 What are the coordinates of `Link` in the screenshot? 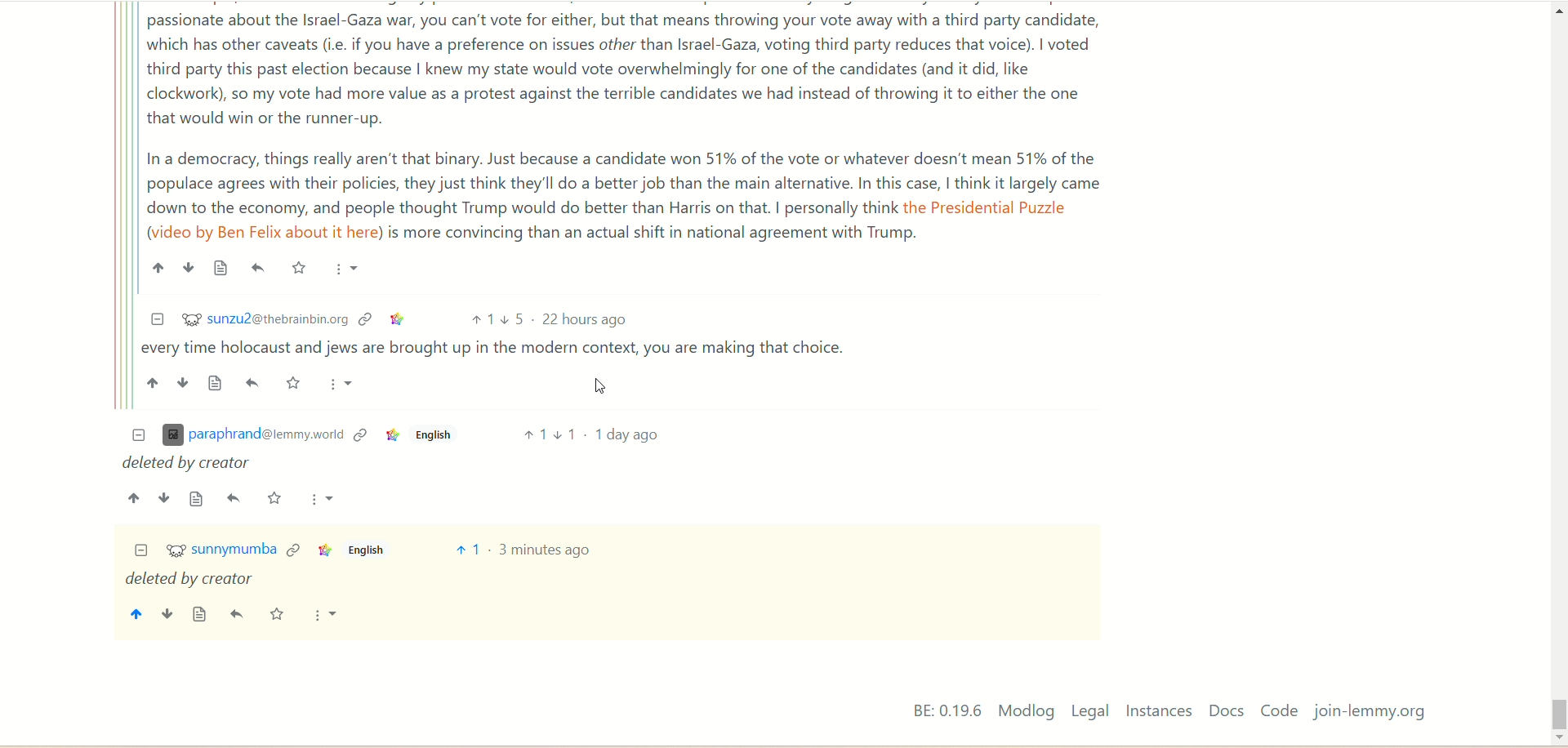 It's located at (360, 436).